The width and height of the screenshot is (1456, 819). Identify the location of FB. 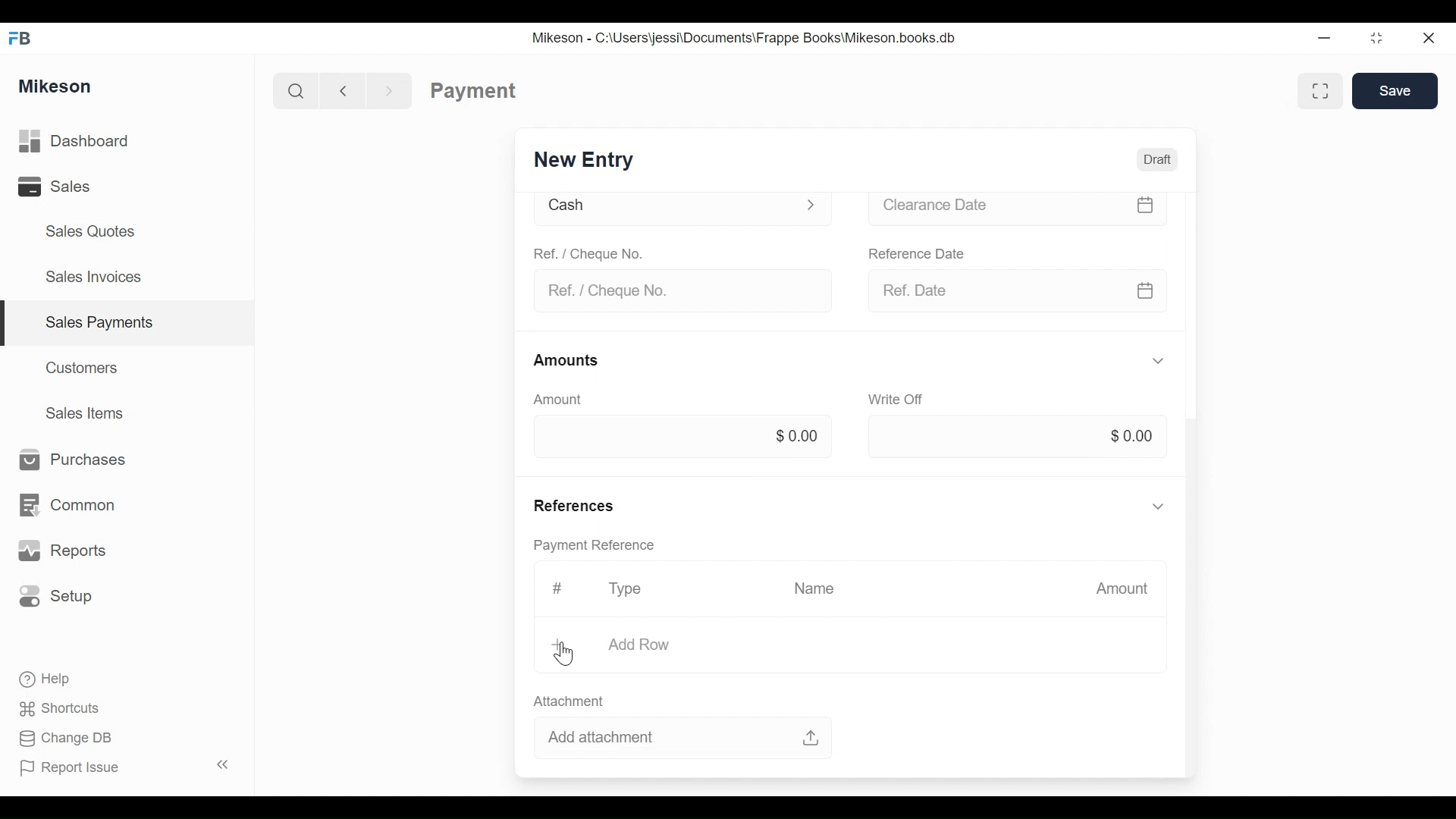
(24, 36).